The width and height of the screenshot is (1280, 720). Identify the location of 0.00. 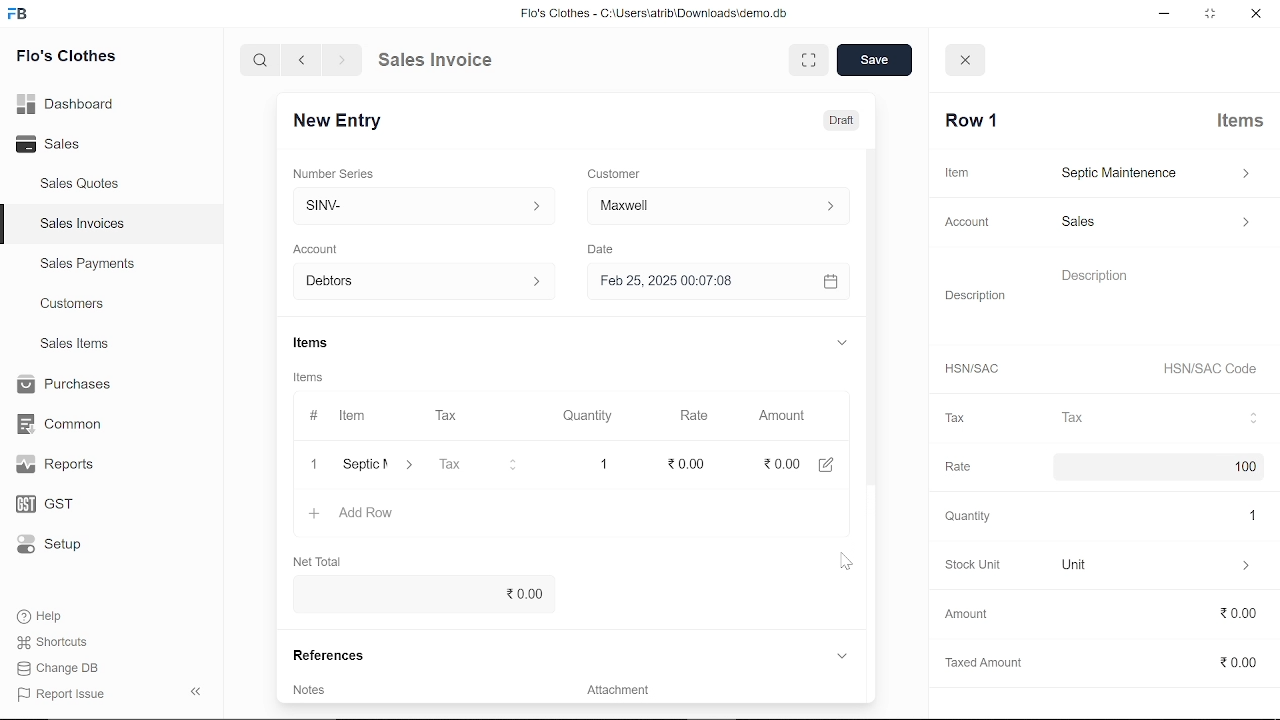
(1230, 664).